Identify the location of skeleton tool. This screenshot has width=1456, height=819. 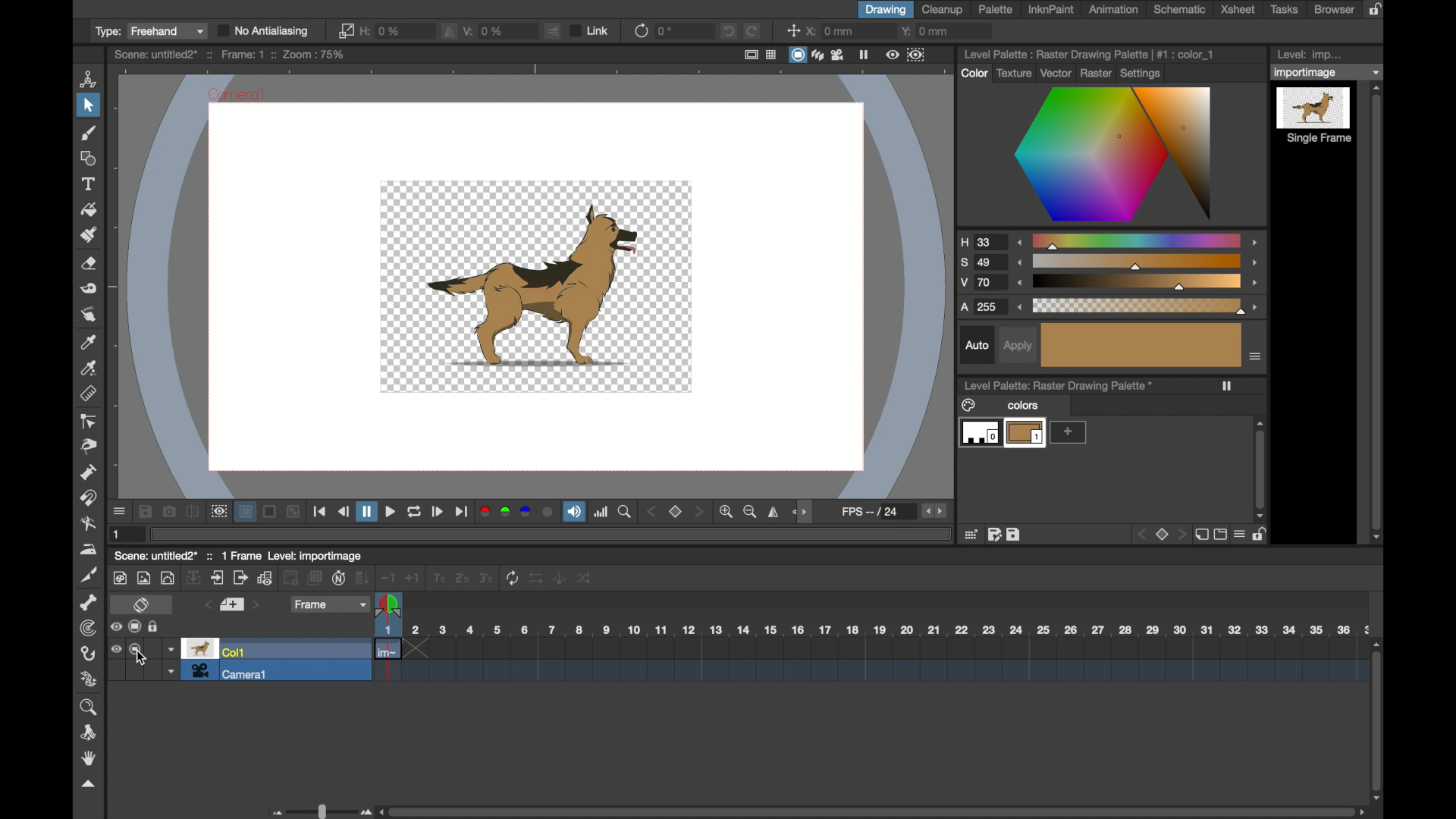
(89, 602).